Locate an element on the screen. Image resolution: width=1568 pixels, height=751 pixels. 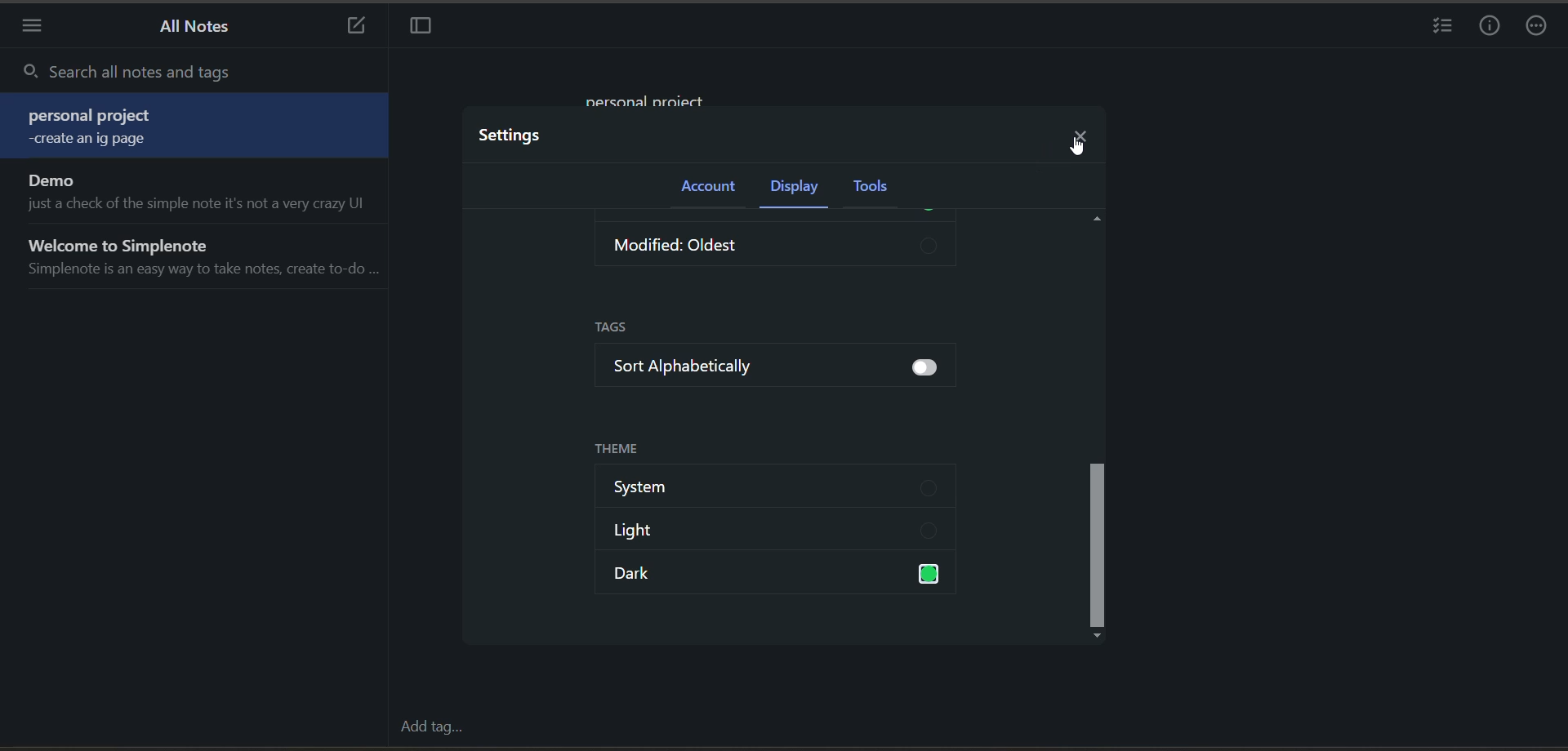
data in current notes is located at coordinates (656, 94).